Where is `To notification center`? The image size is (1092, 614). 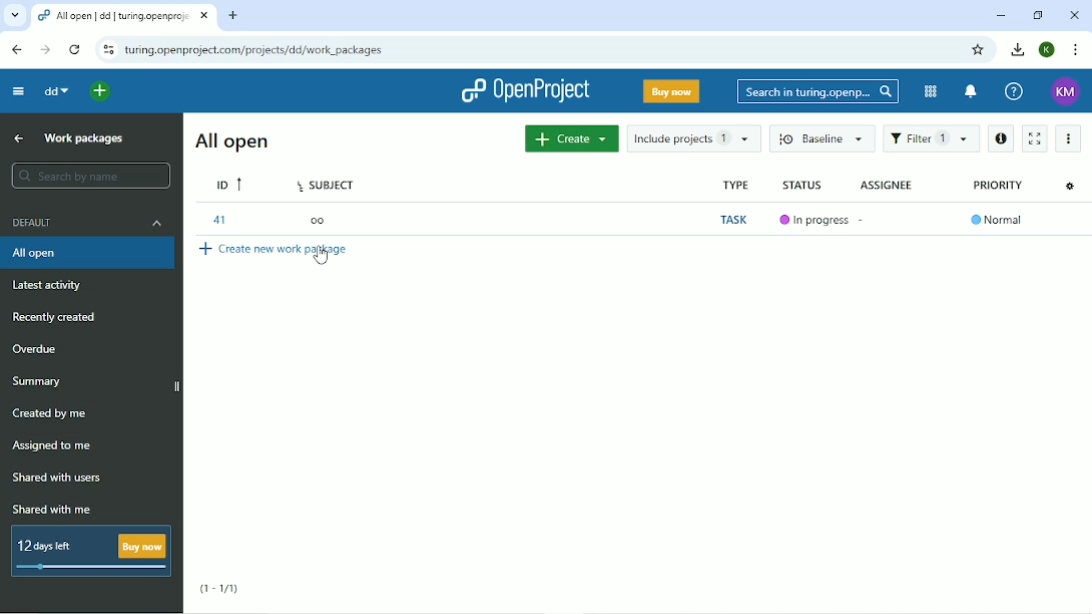 To notification center is located at coordinates (971, 92).